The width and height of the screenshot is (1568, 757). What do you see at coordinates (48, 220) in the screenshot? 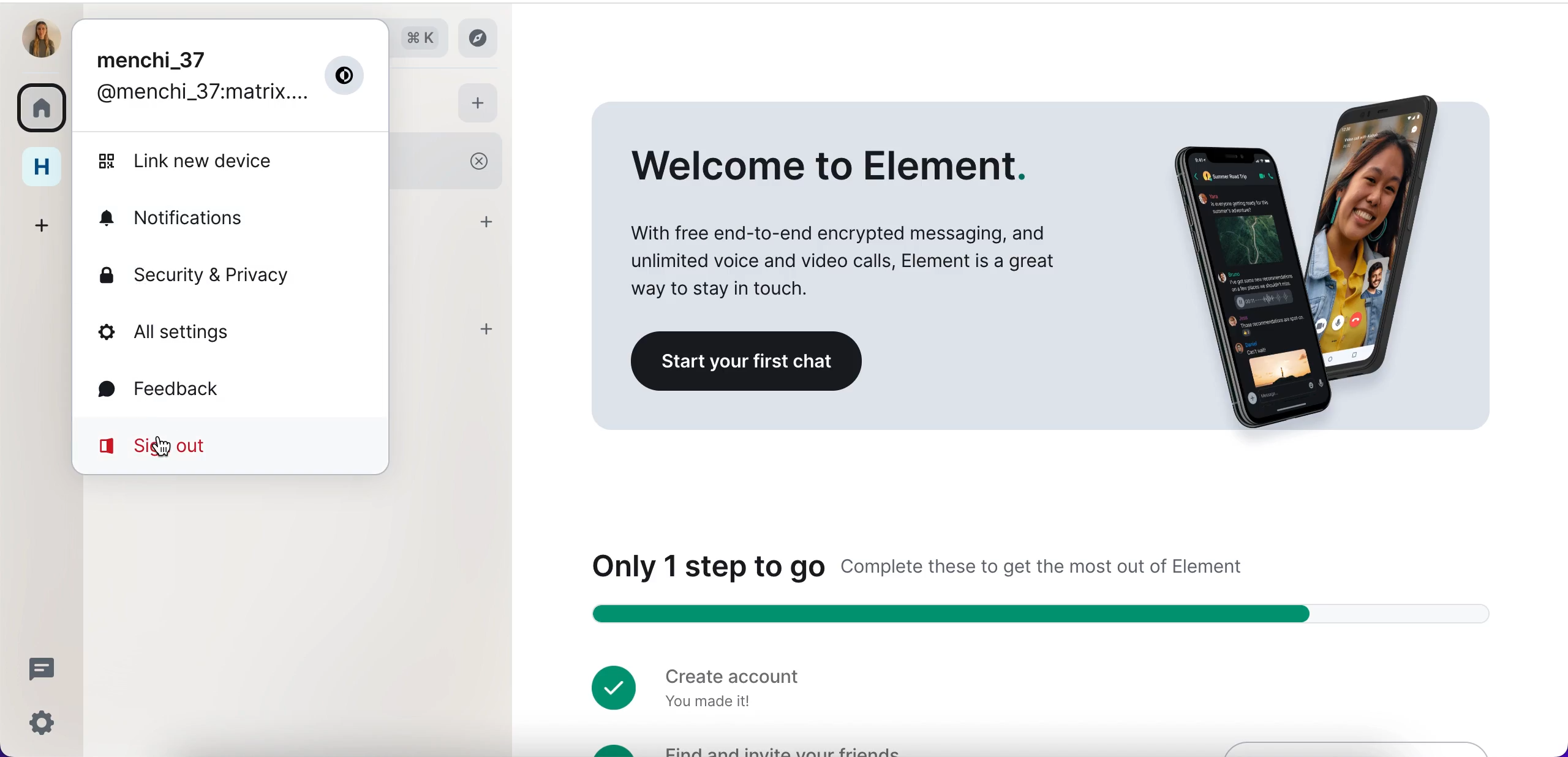
I see `create a space` at bounding box center [48, 220].